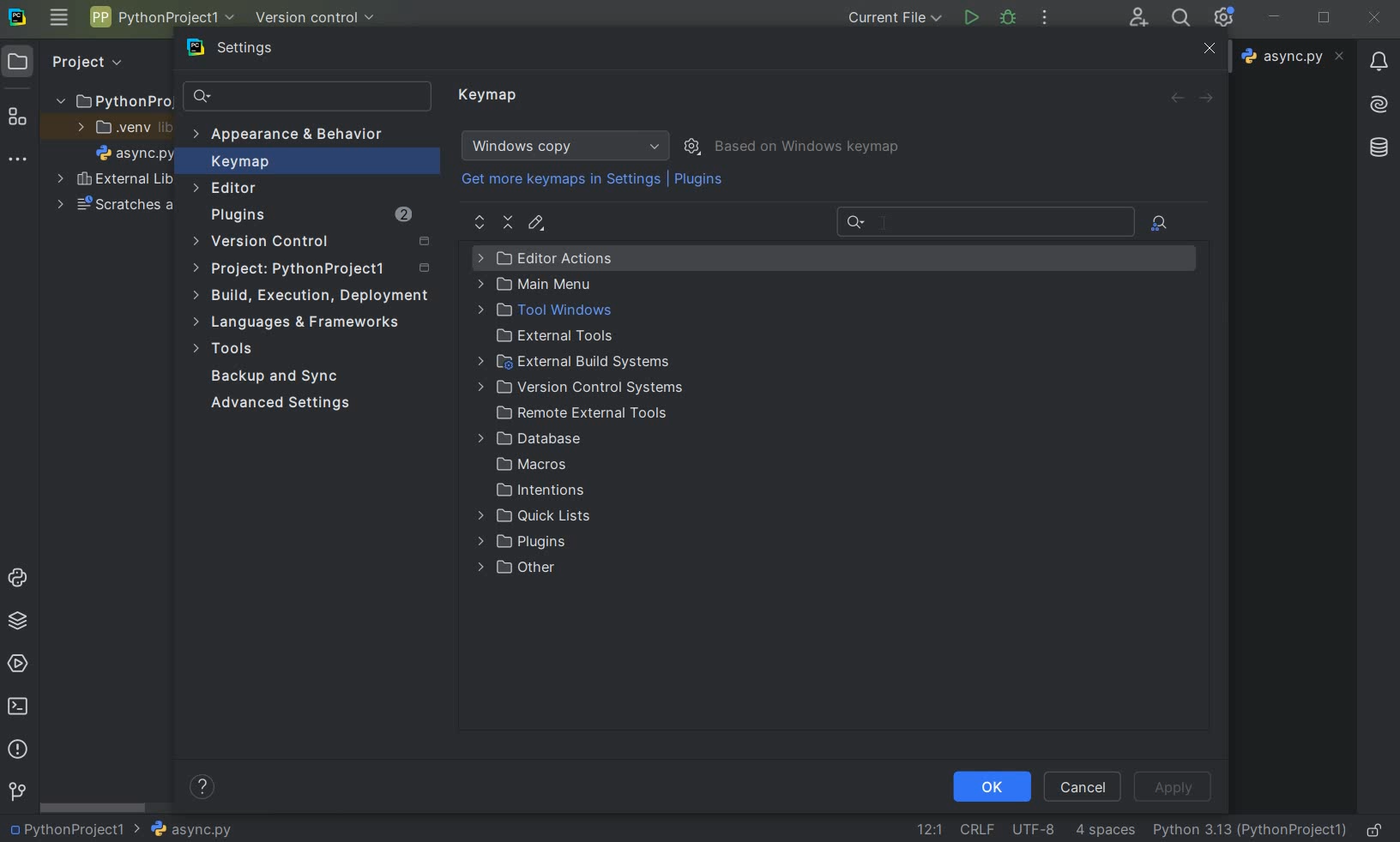  Describe the element at coordinates (241, 51) in the screenshot. I see `settings` at that location.